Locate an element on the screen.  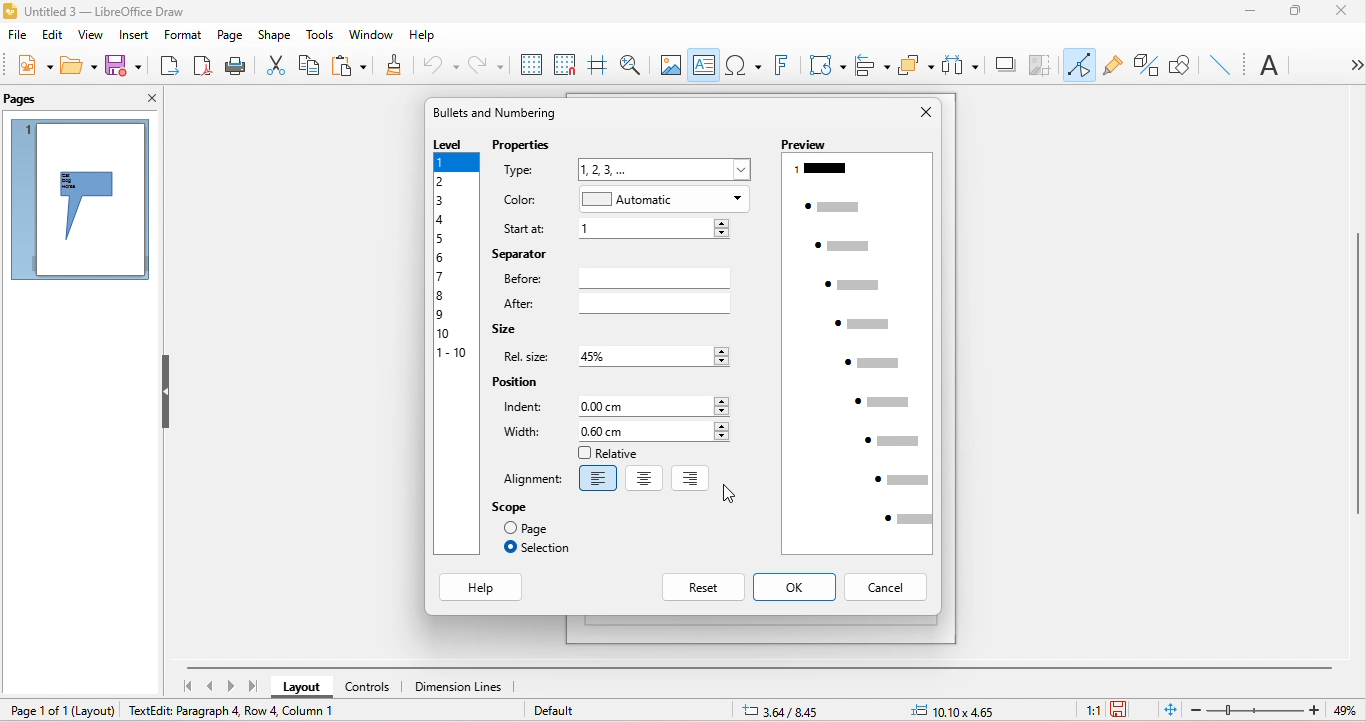
shadow is located at coordinates (1004, 68).